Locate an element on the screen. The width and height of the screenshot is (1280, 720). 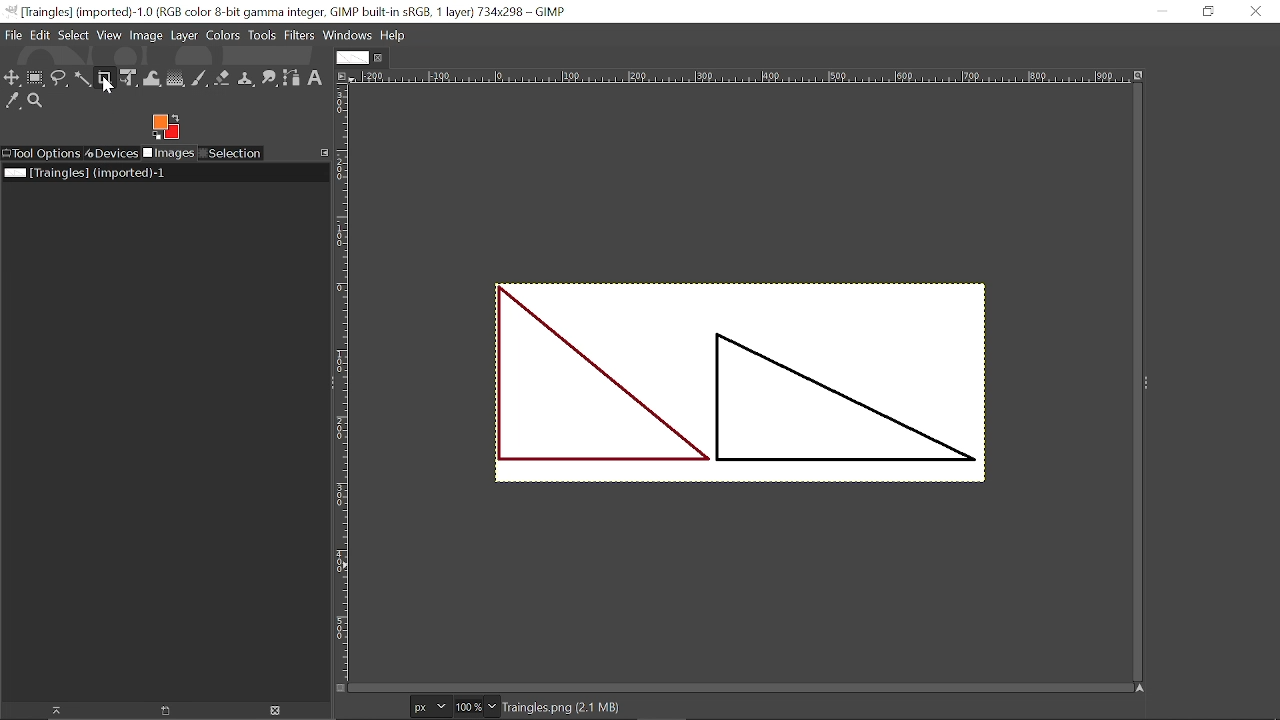
Paintbrush tool is located at coordinates (199, 79).